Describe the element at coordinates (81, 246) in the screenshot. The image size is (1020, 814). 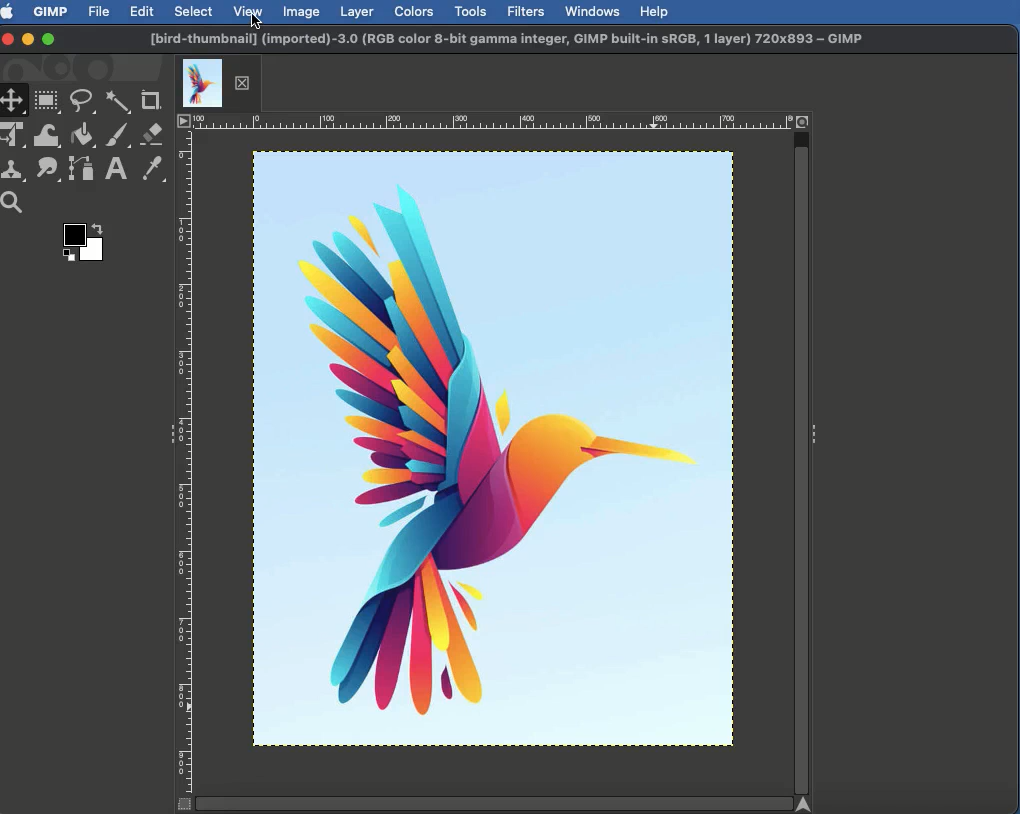
I see `Color` at that location.